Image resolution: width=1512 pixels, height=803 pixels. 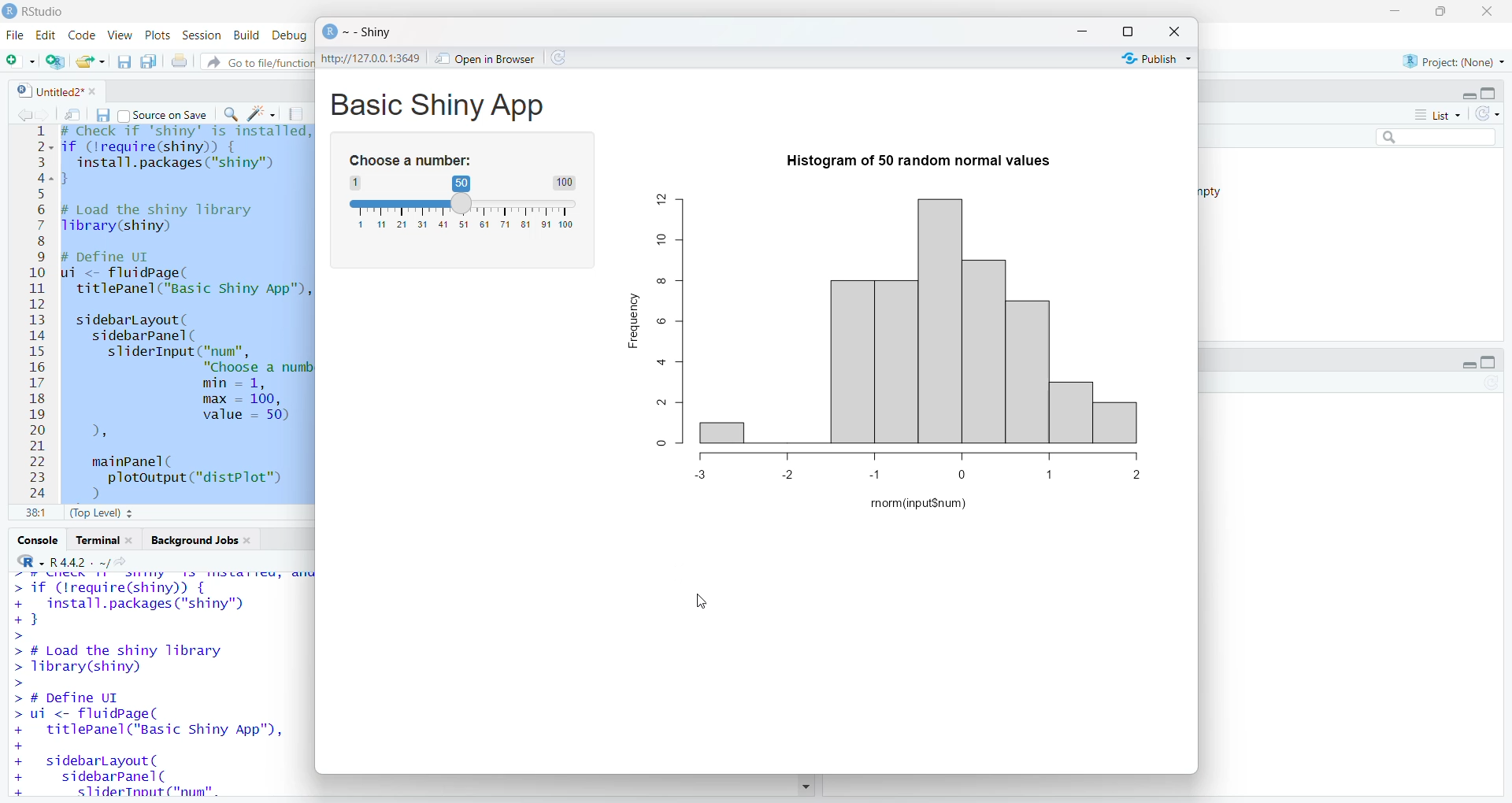 What do you see at coordinates (38, 540) in the screenshot?
I see `Console` at bounding box center [38, 540].